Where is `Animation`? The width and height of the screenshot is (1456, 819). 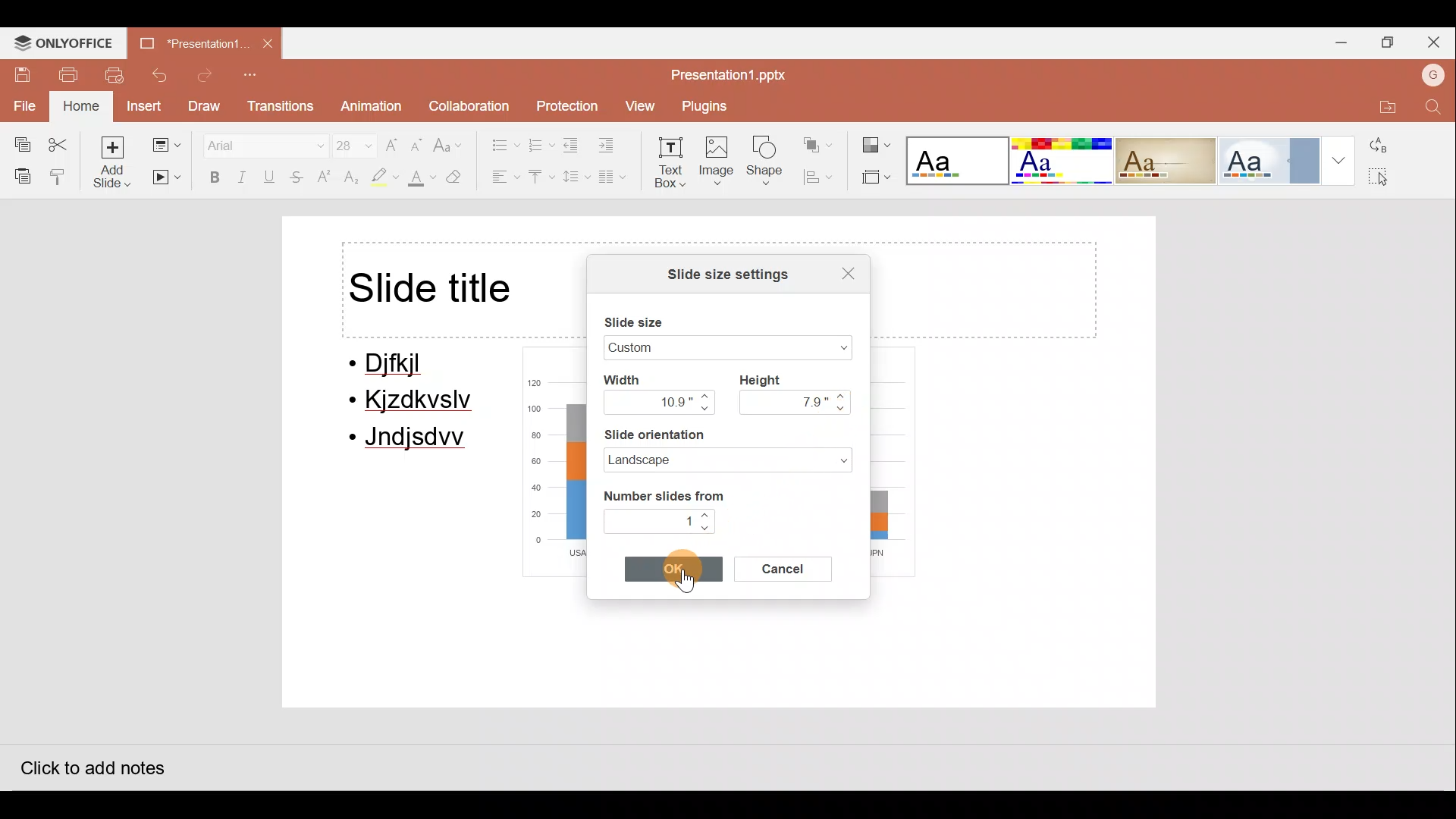 Animation is located at coordinates (369, 107).